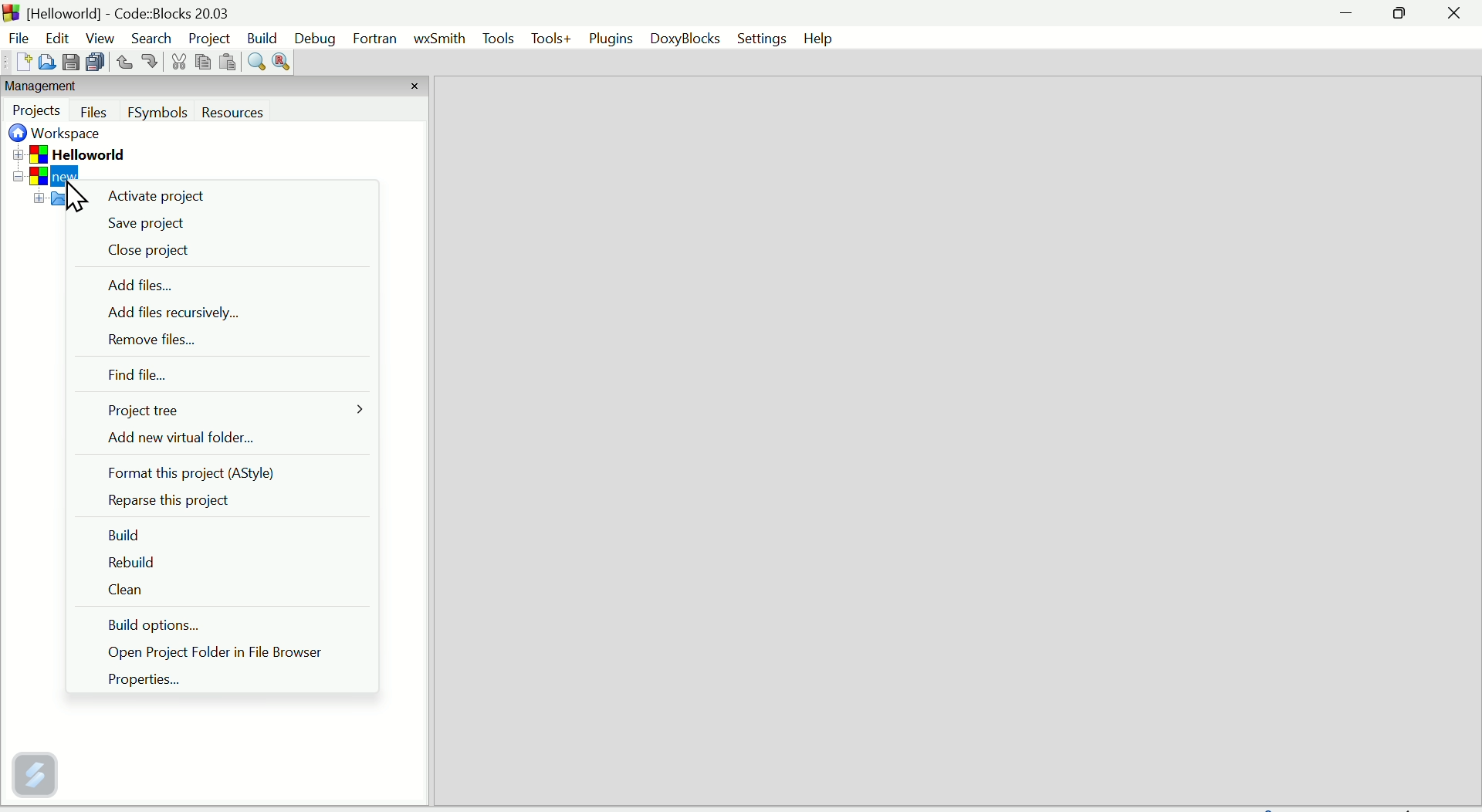 The height and width of the screenshot is (812, 1482). I want to click on Safe project, so click(151, 223).